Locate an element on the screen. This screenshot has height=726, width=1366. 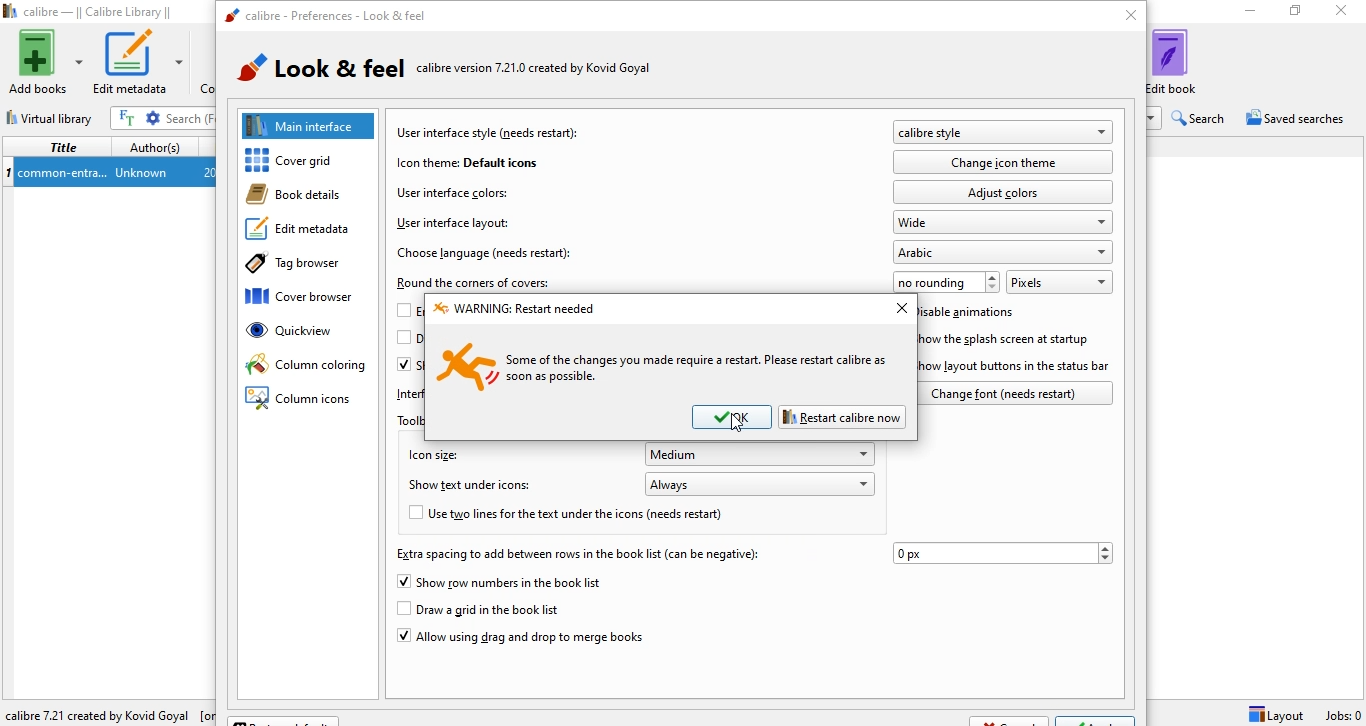
advanced search is located at coordinates (154, 118).